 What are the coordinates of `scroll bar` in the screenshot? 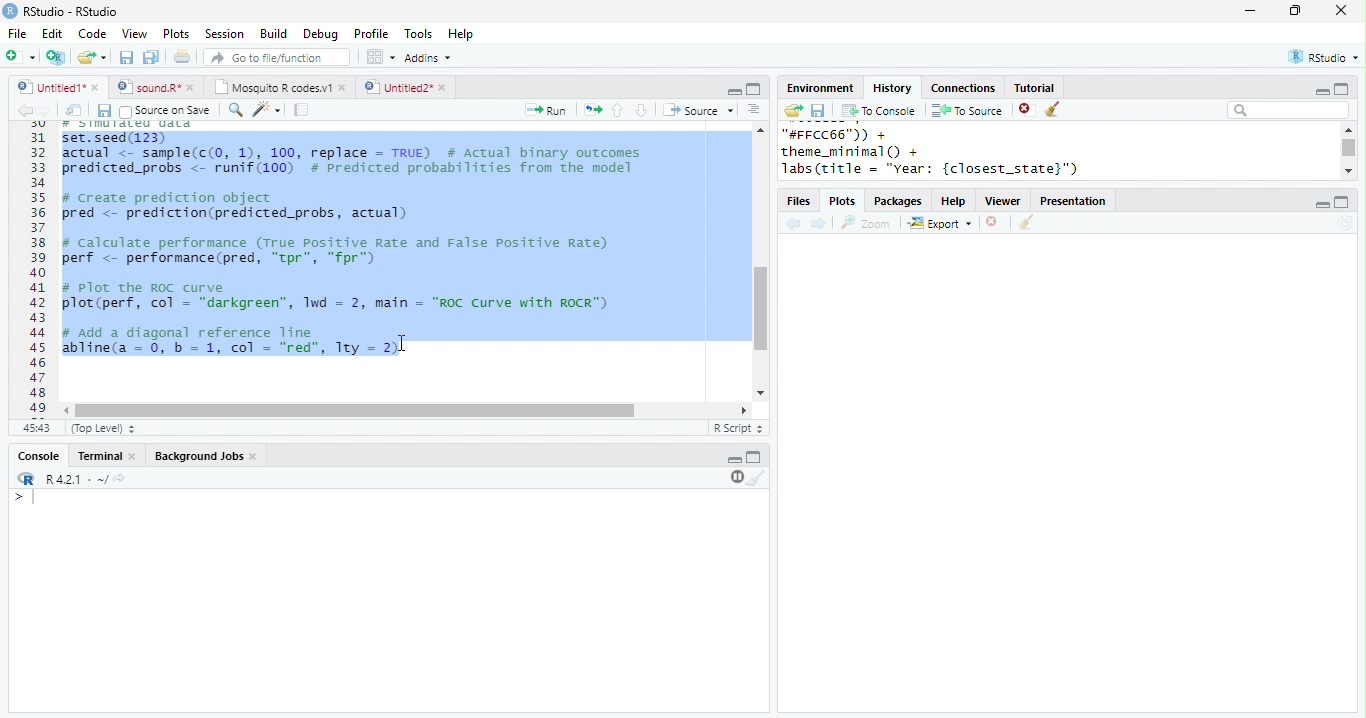 It's located at (355, 411).